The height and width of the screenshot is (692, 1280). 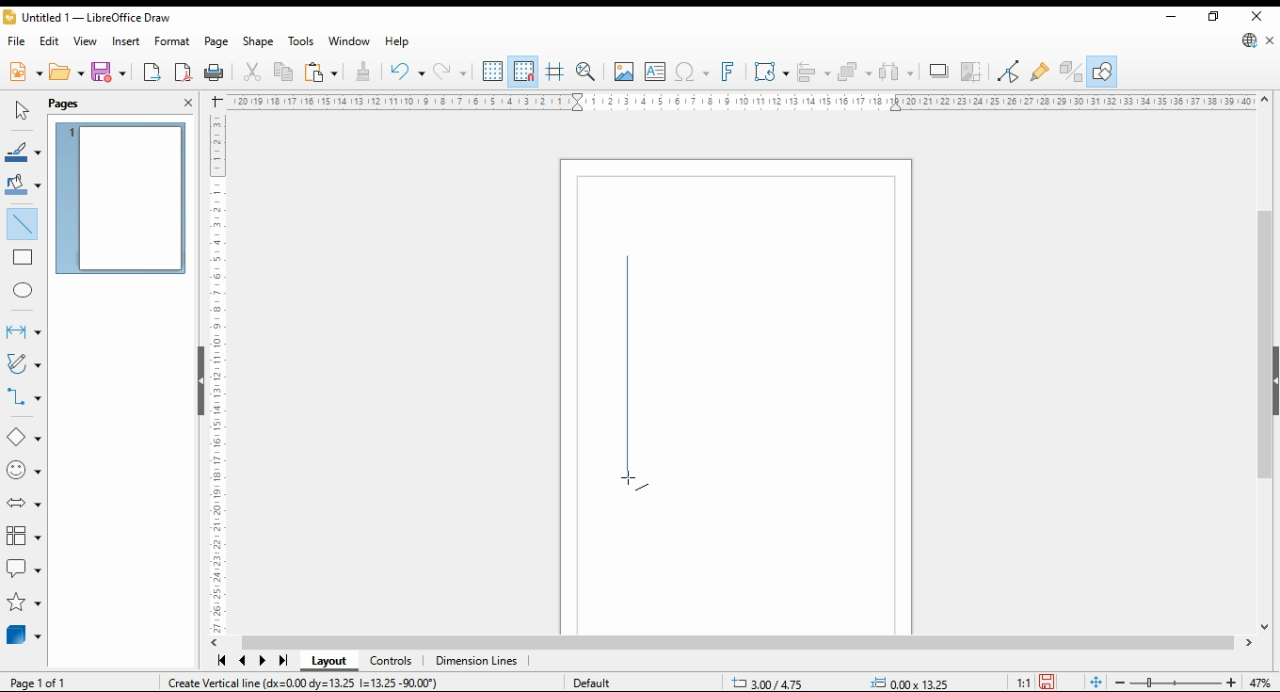 What do you see at coordinates (478, 662) in the screenshot?
I see `dimensions` at bounding box center [478, 662].